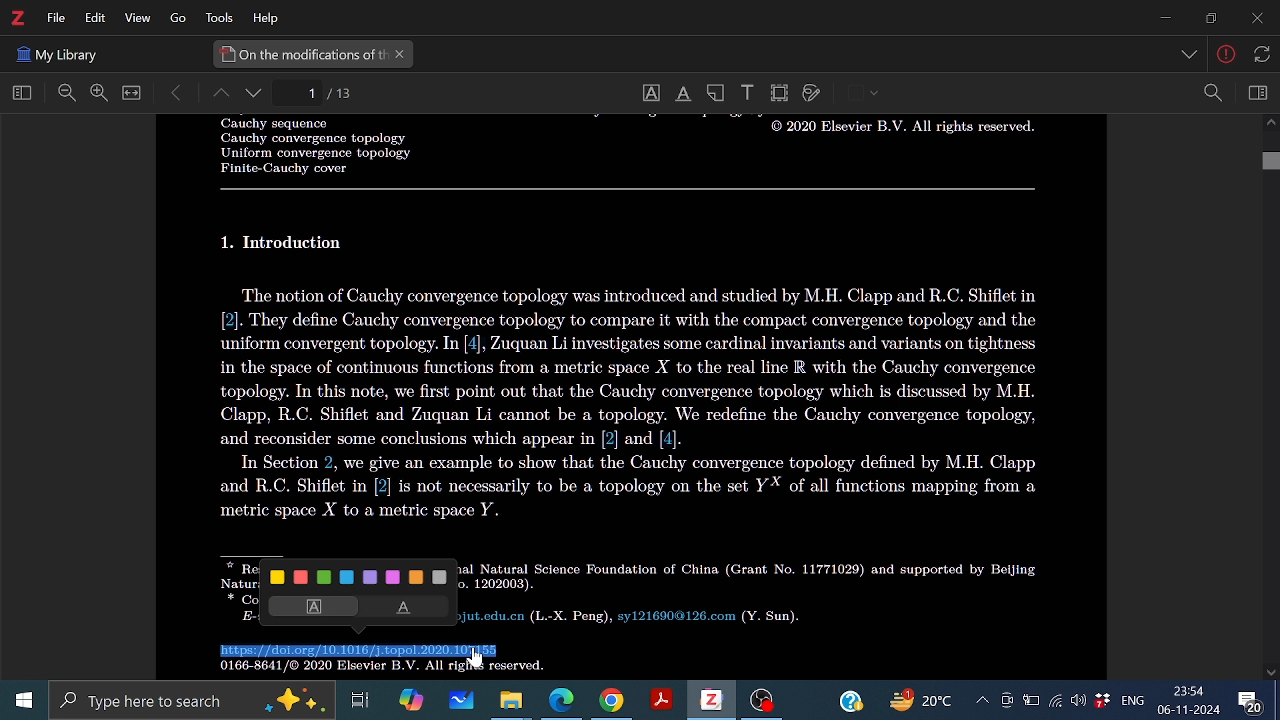 The height and width of the screenshot is (720, 1280). What do you see at coordinates (67, 94) in the screenshot?
I see `Zoom out` at bounding box center [67, 94].